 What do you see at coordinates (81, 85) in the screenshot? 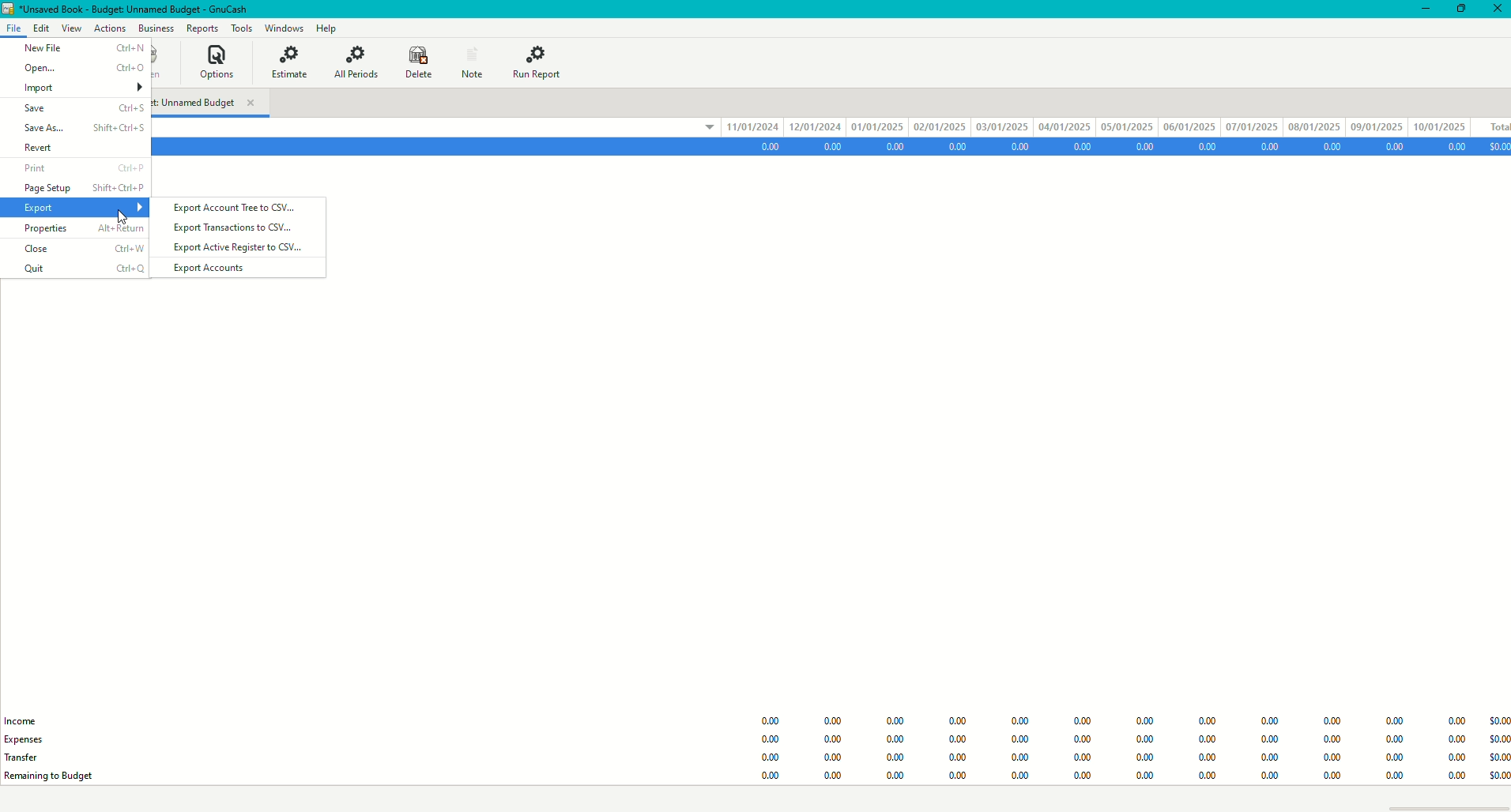
I see `Import` at bounding box center [81, 85].